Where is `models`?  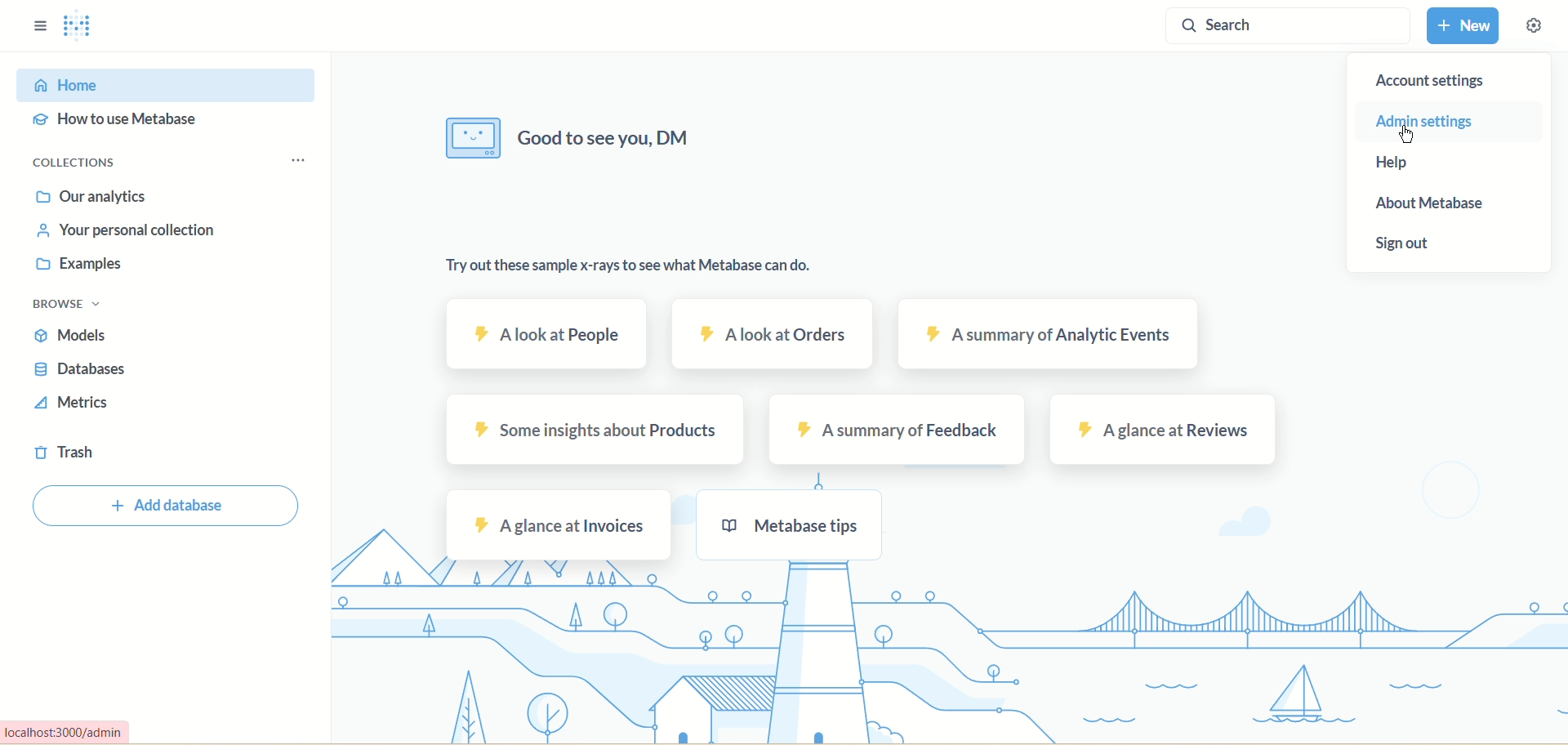 models is located at coordinates (72, 335).